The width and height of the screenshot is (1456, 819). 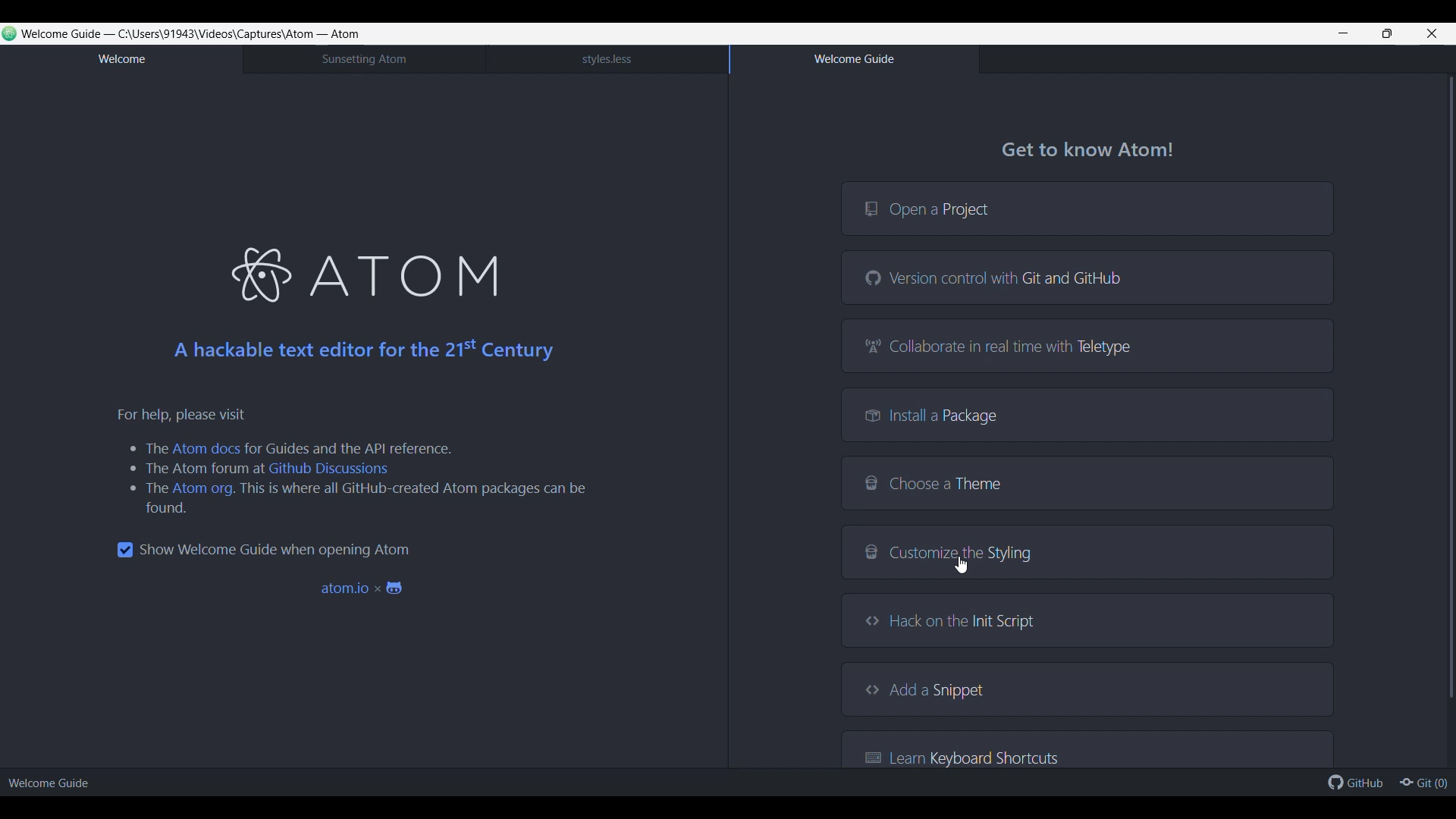 I want to click on For help, please visit, so click(x=184, y=414).